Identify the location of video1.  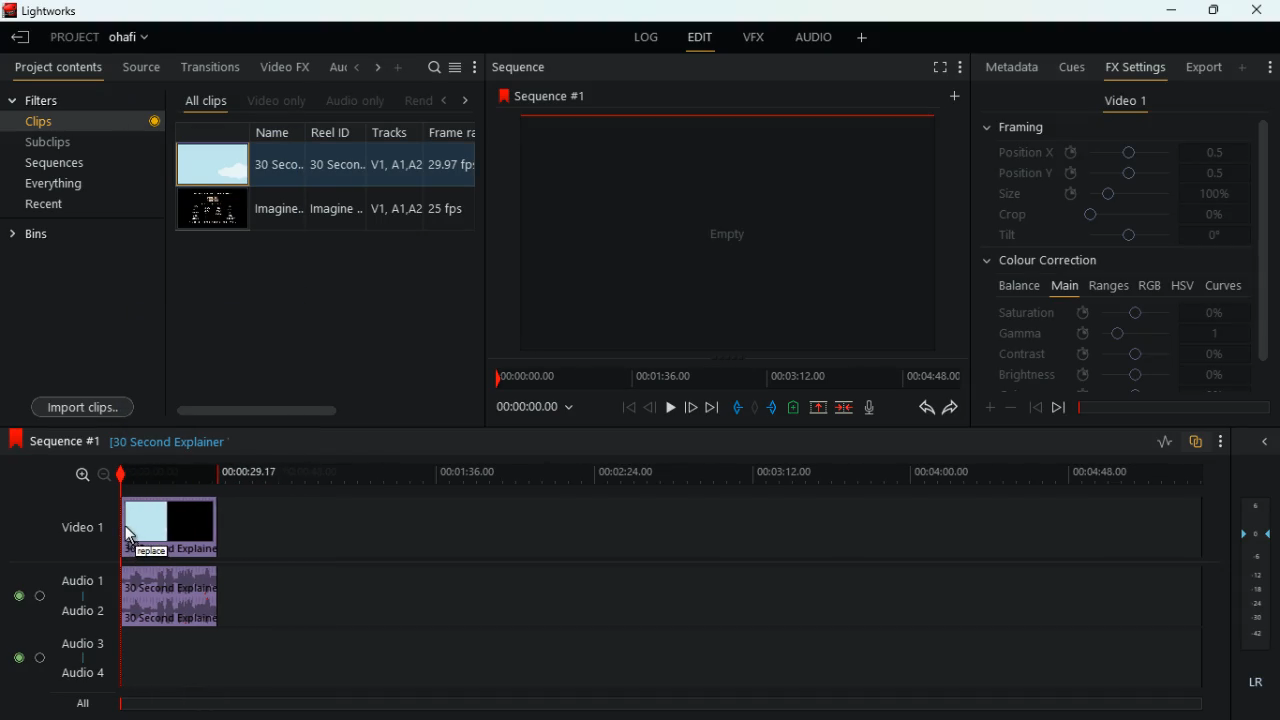
(78, 527).